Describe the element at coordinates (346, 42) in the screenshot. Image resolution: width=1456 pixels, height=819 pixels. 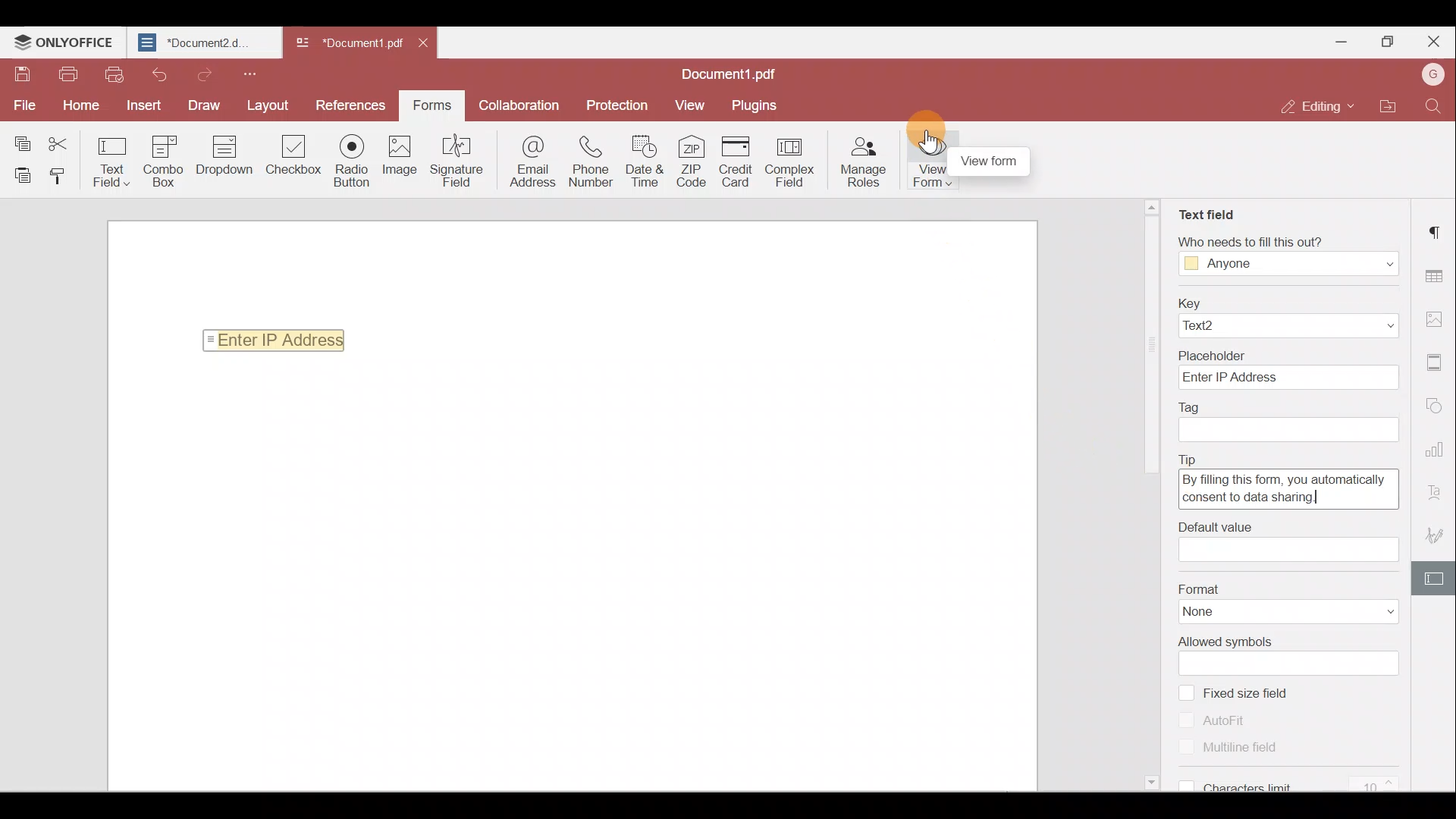
I see `Document1. pdf` at that location.